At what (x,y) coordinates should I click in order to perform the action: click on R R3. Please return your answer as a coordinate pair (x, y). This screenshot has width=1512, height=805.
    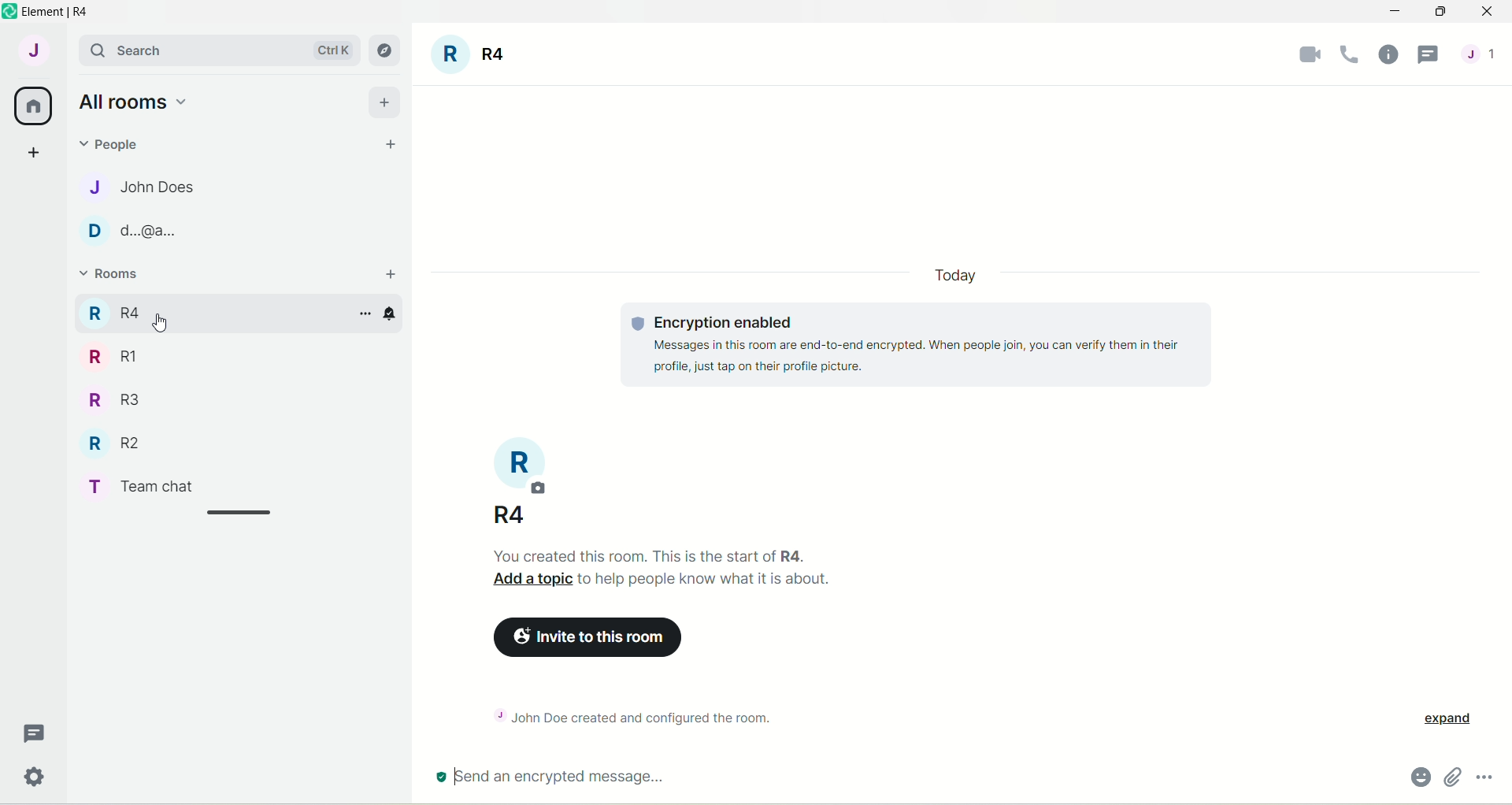
    Looking at the image, I should click on (109, 398).